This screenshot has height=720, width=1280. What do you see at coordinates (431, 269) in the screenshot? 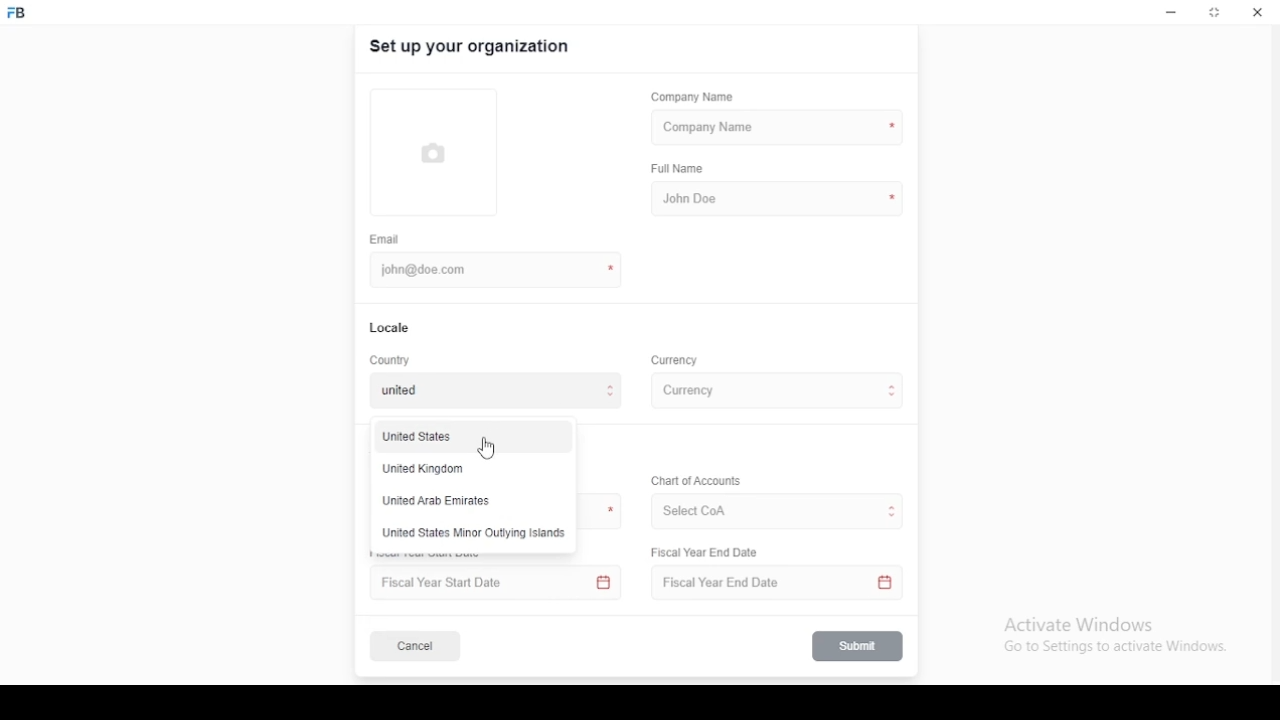
I see `john@doe.com` at bounding box center [431, 269].